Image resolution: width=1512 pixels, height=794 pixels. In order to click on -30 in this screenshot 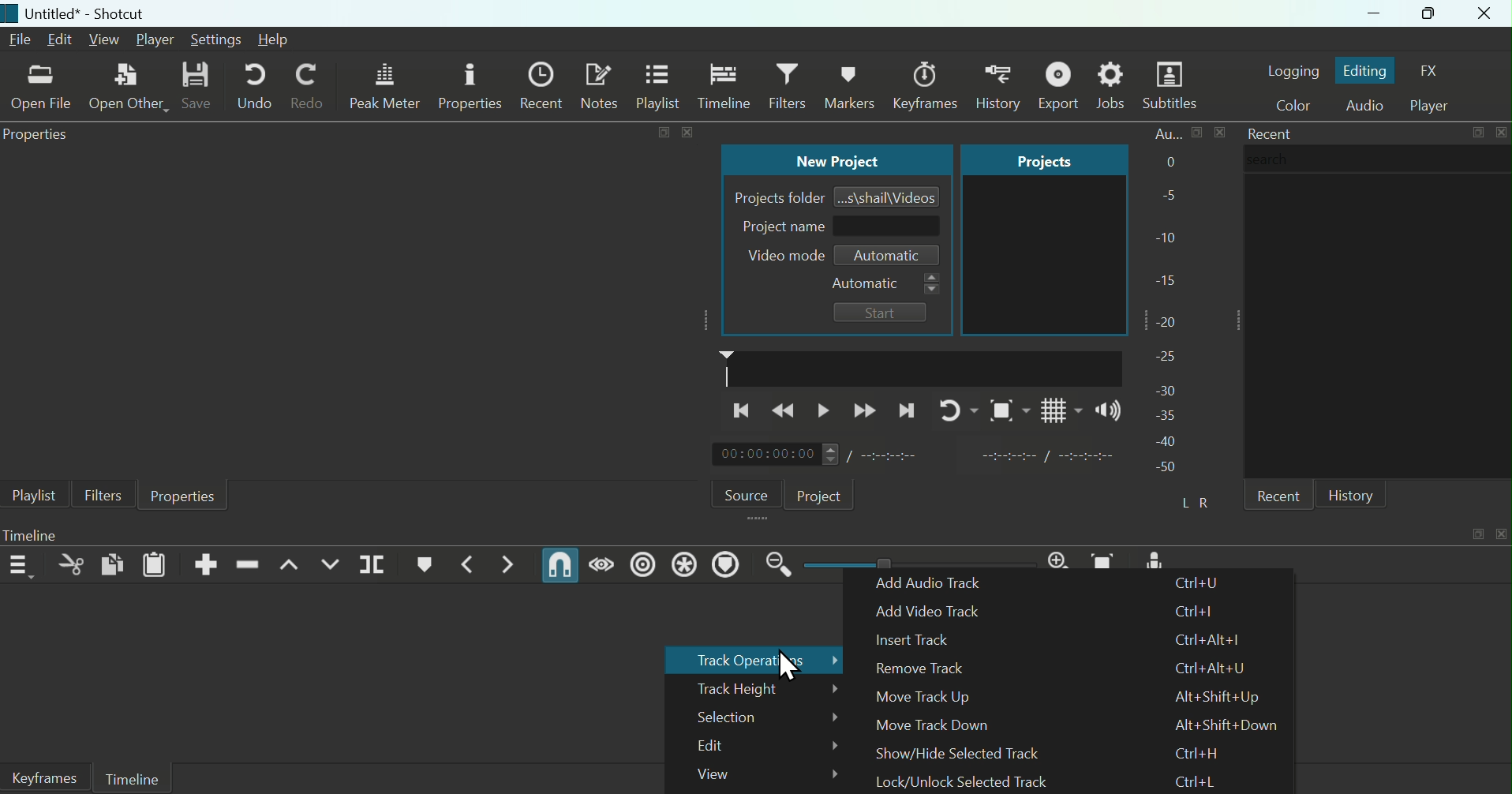, I will do `click(1169, 387)`.